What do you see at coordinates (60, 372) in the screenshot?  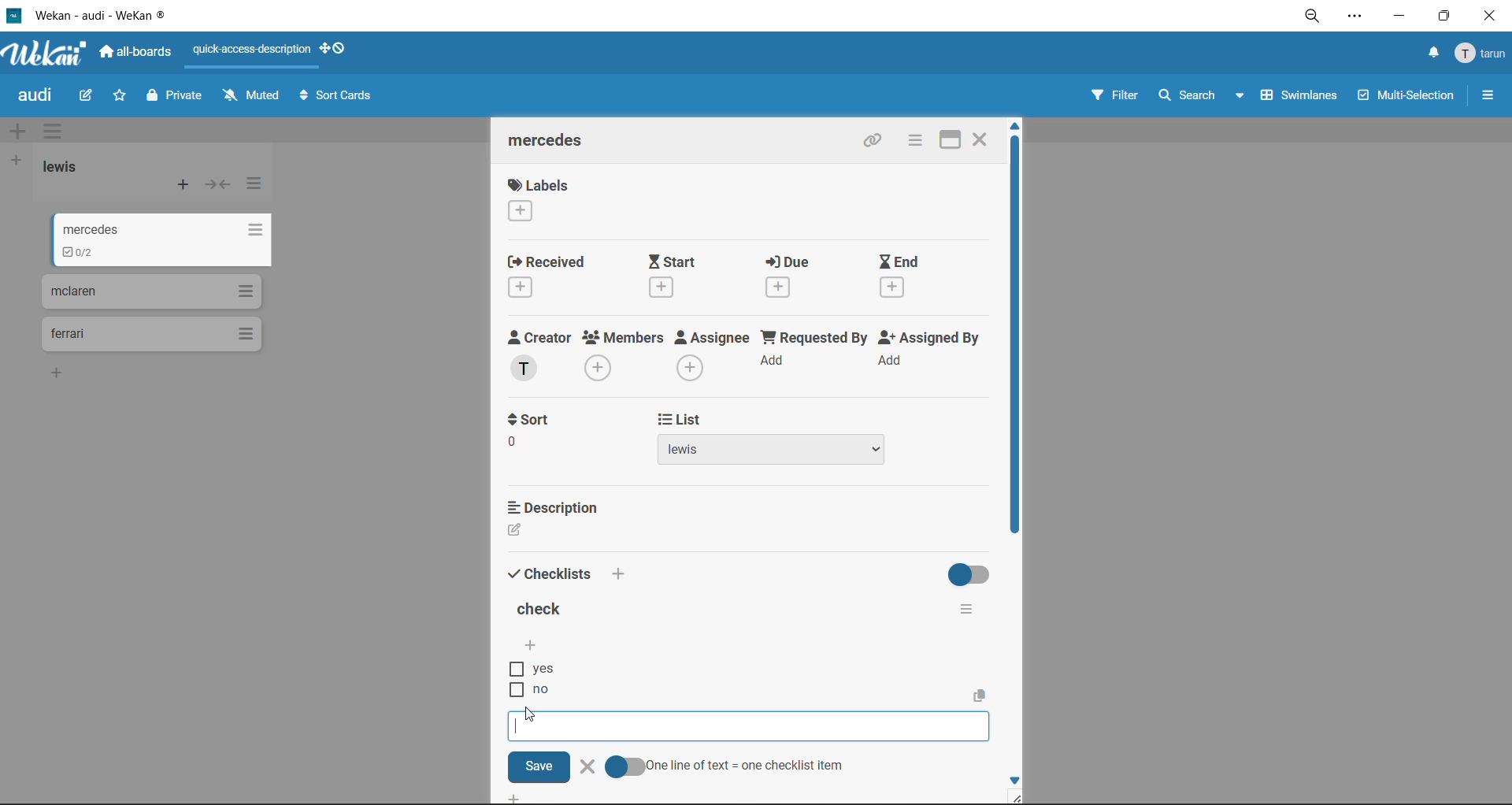 I see `Add card to bottom of the list` at bounding box center [60, 372].